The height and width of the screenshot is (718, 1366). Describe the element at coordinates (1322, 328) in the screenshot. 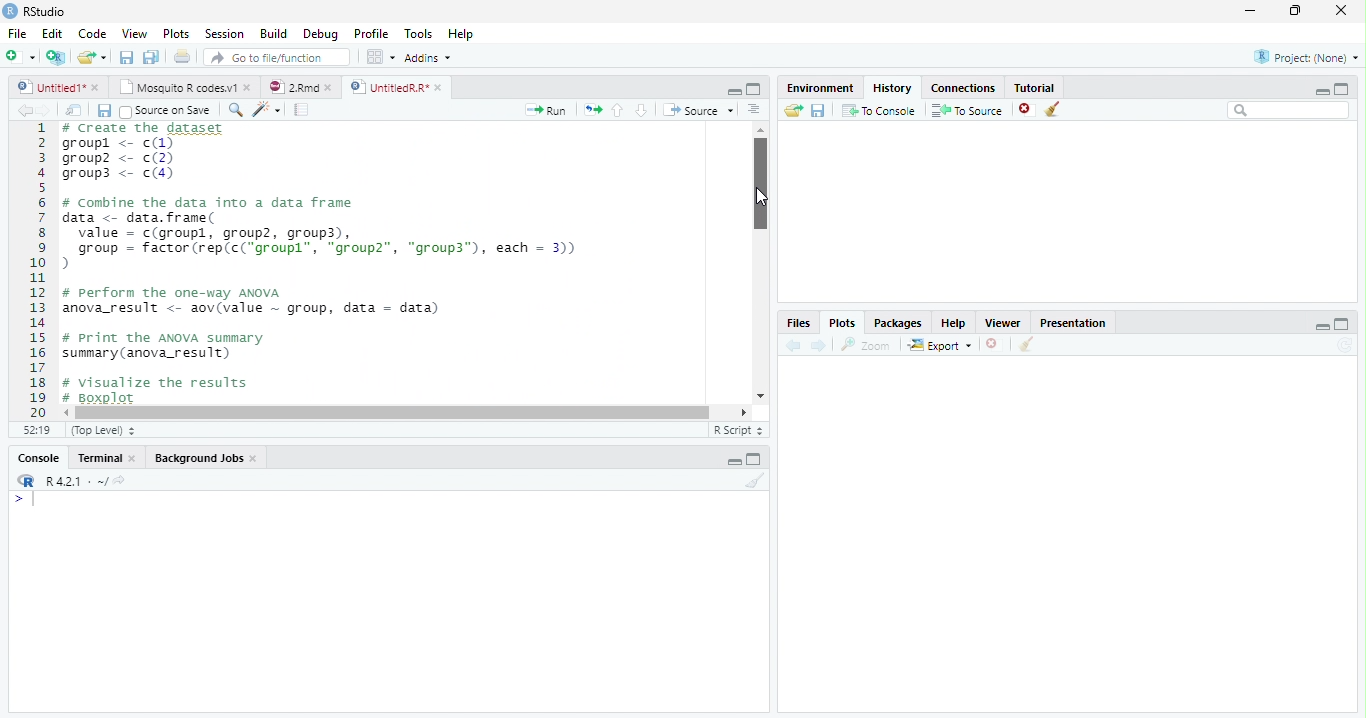

I see `Minimize` at that location.